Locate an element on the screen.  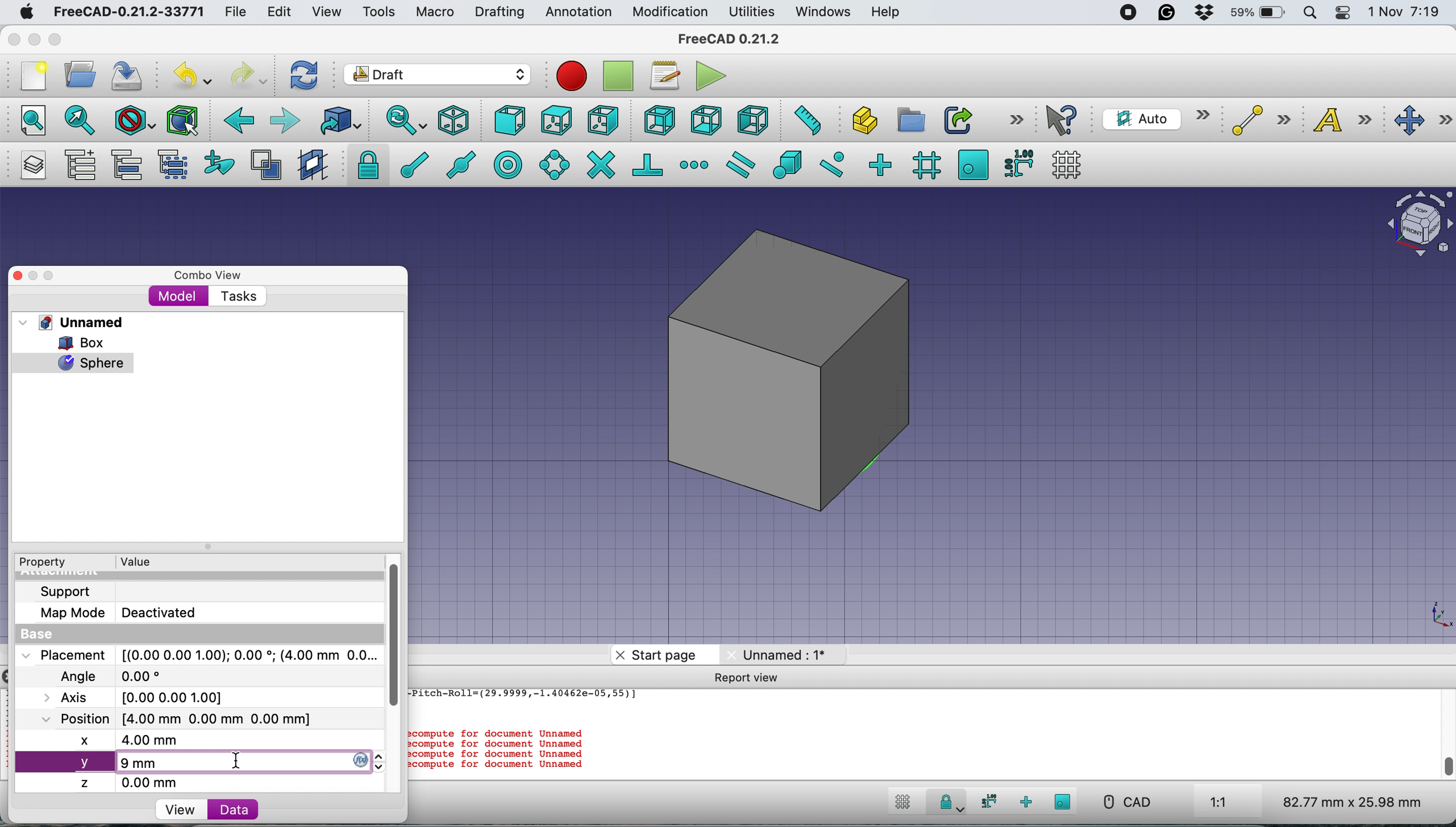
snap intersection is located at coordinates (600, 164).